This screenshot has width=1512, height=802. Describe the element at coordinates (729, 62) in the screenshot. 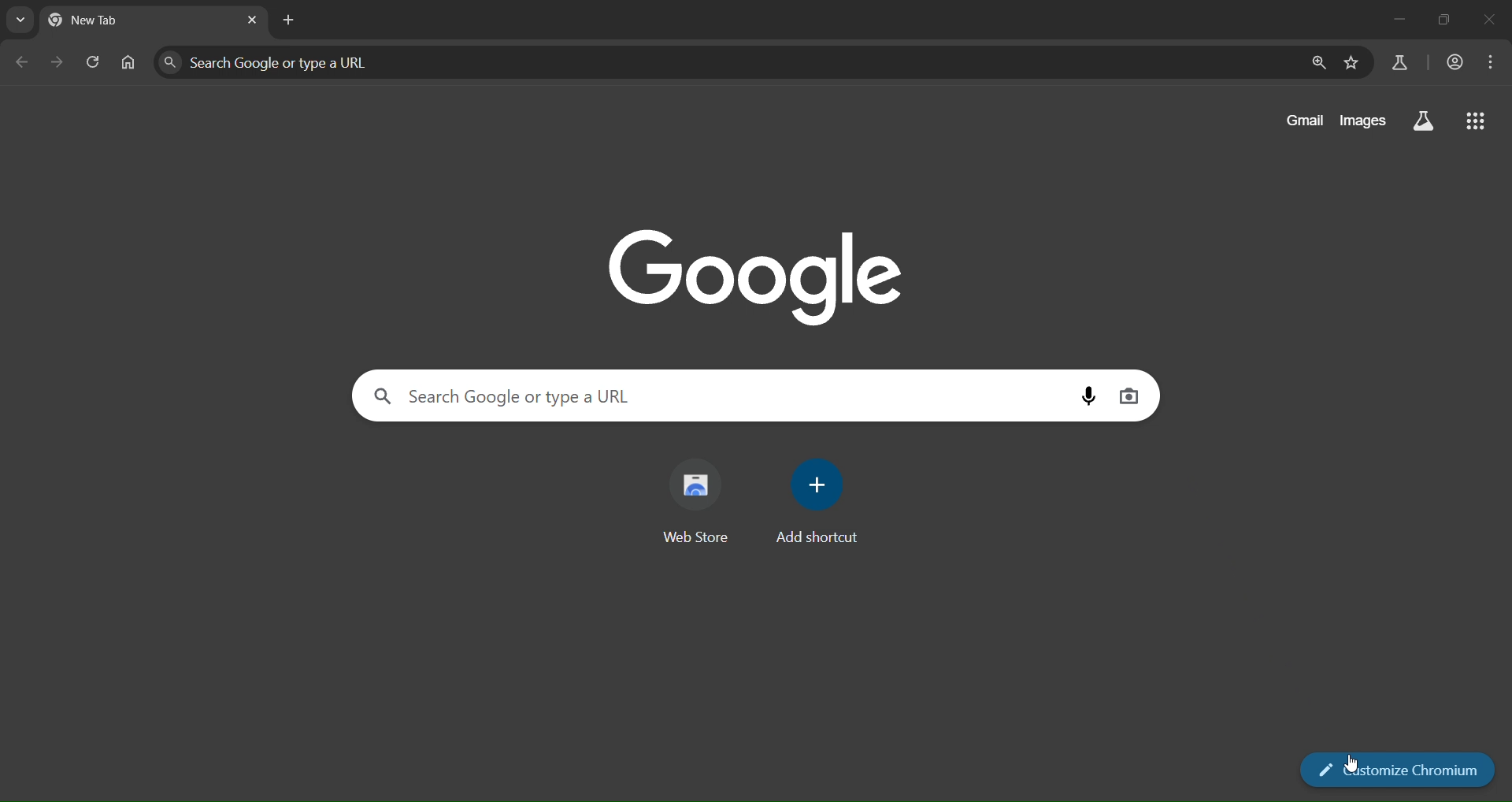

I see `Search Google or type a URL` at that location.